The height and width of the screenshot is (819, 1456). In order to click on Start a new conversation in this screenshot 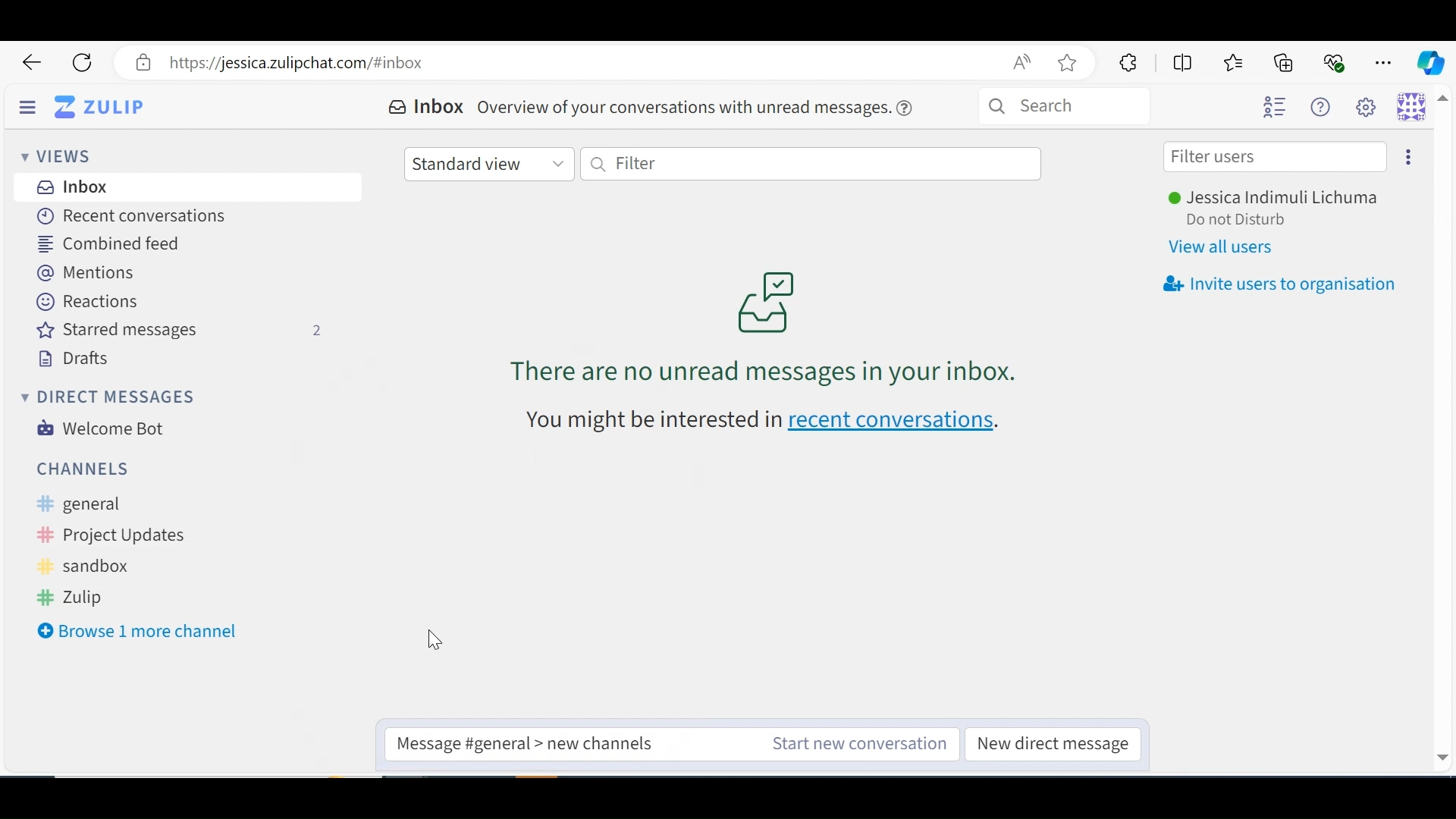, I will do `click(855, 744)`.